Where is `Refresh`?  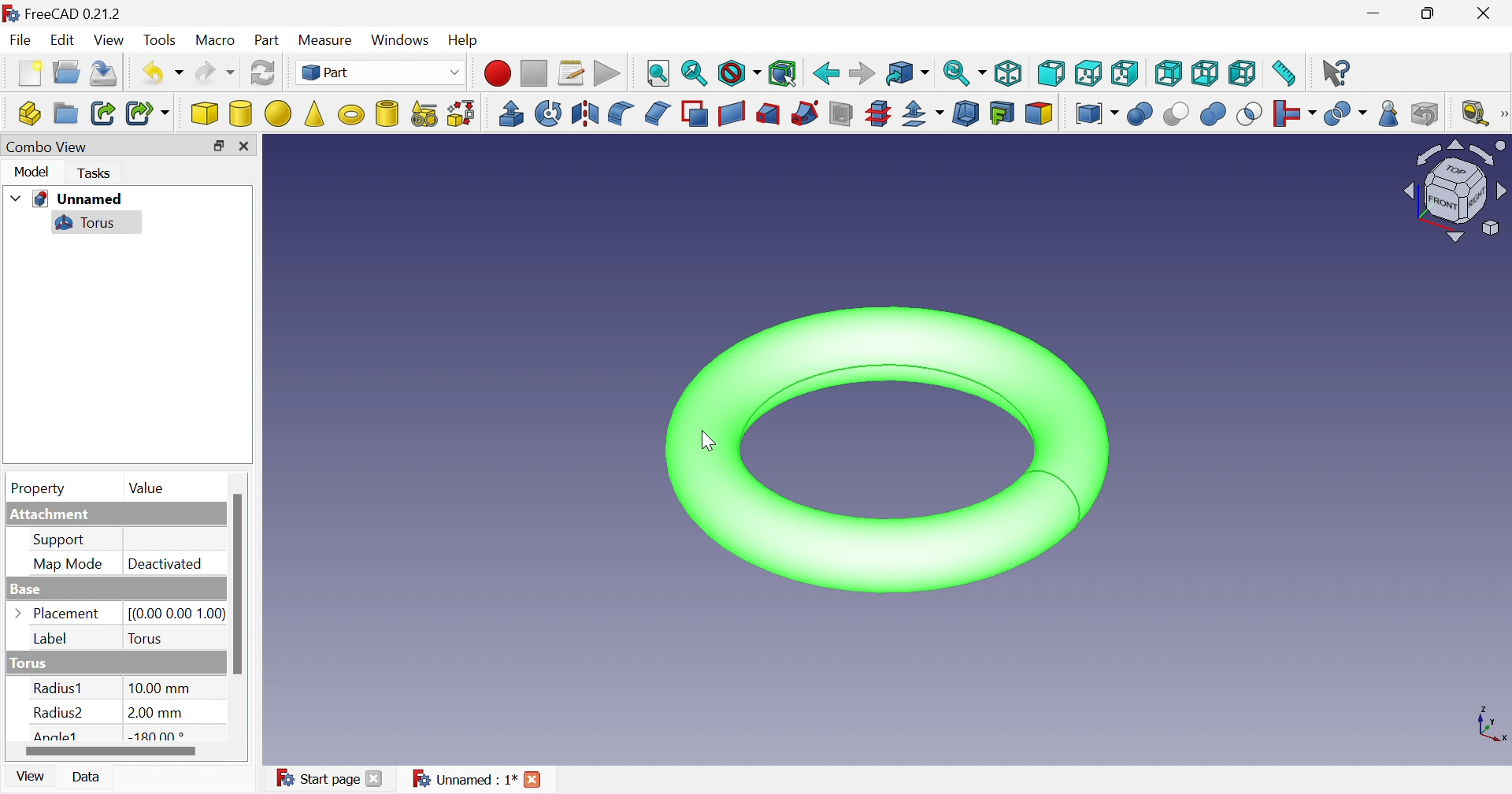 Refresh is located at coordinates (106, 72).